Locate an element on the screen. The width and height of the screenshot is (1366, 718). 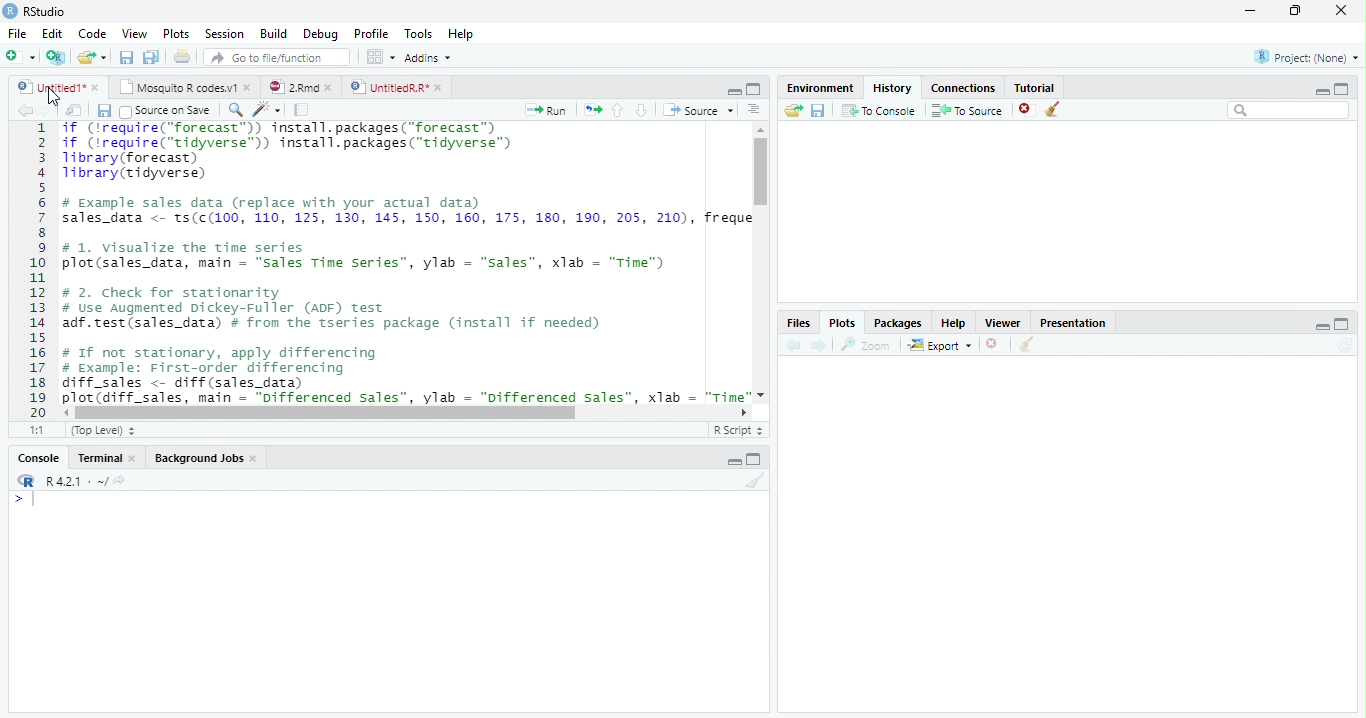
Code is located at coordinates (94, 33).